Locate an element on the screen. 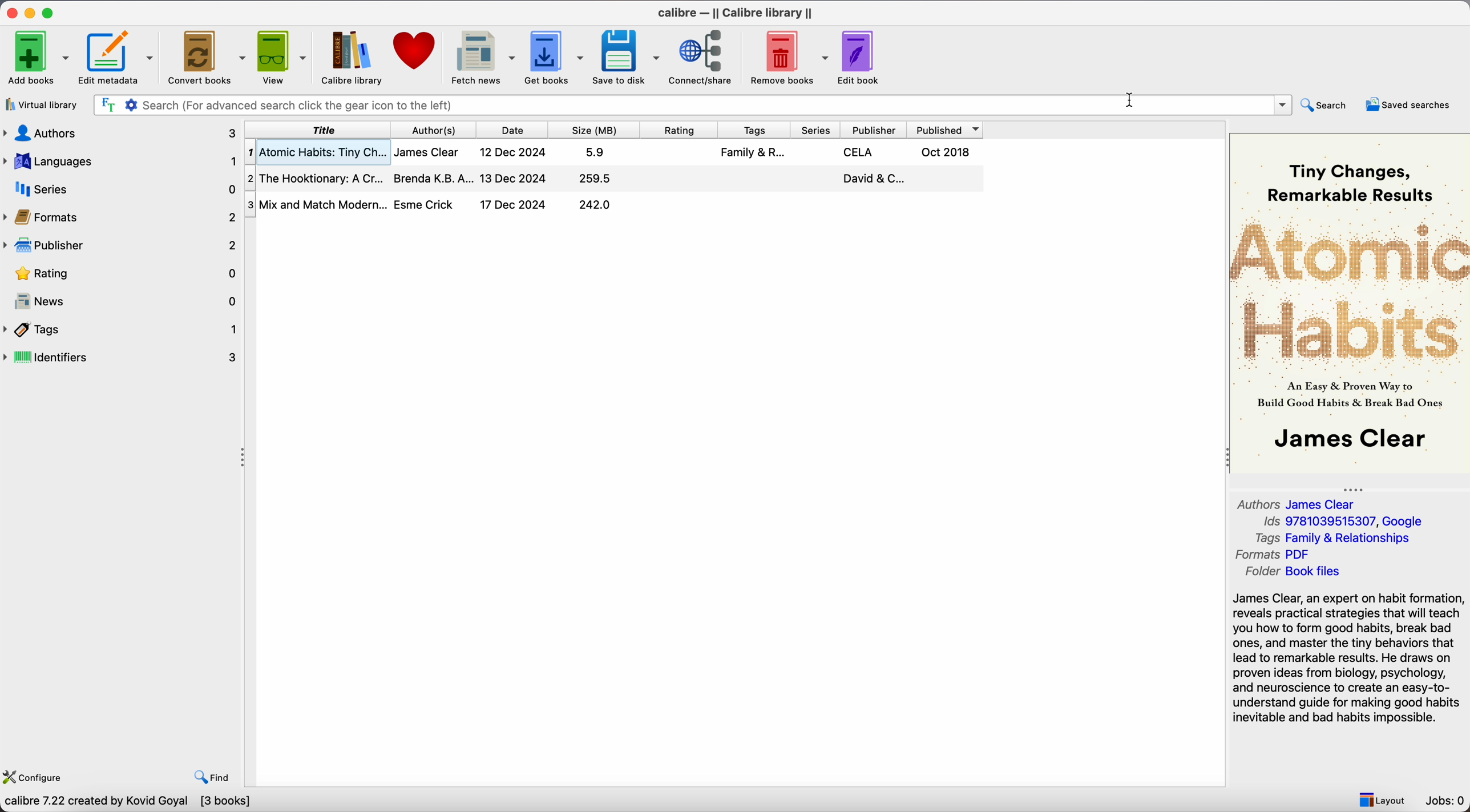 Image resolution: width=1470 pixels, height=812 pixels. convert books is located at coordinates (205, 56).